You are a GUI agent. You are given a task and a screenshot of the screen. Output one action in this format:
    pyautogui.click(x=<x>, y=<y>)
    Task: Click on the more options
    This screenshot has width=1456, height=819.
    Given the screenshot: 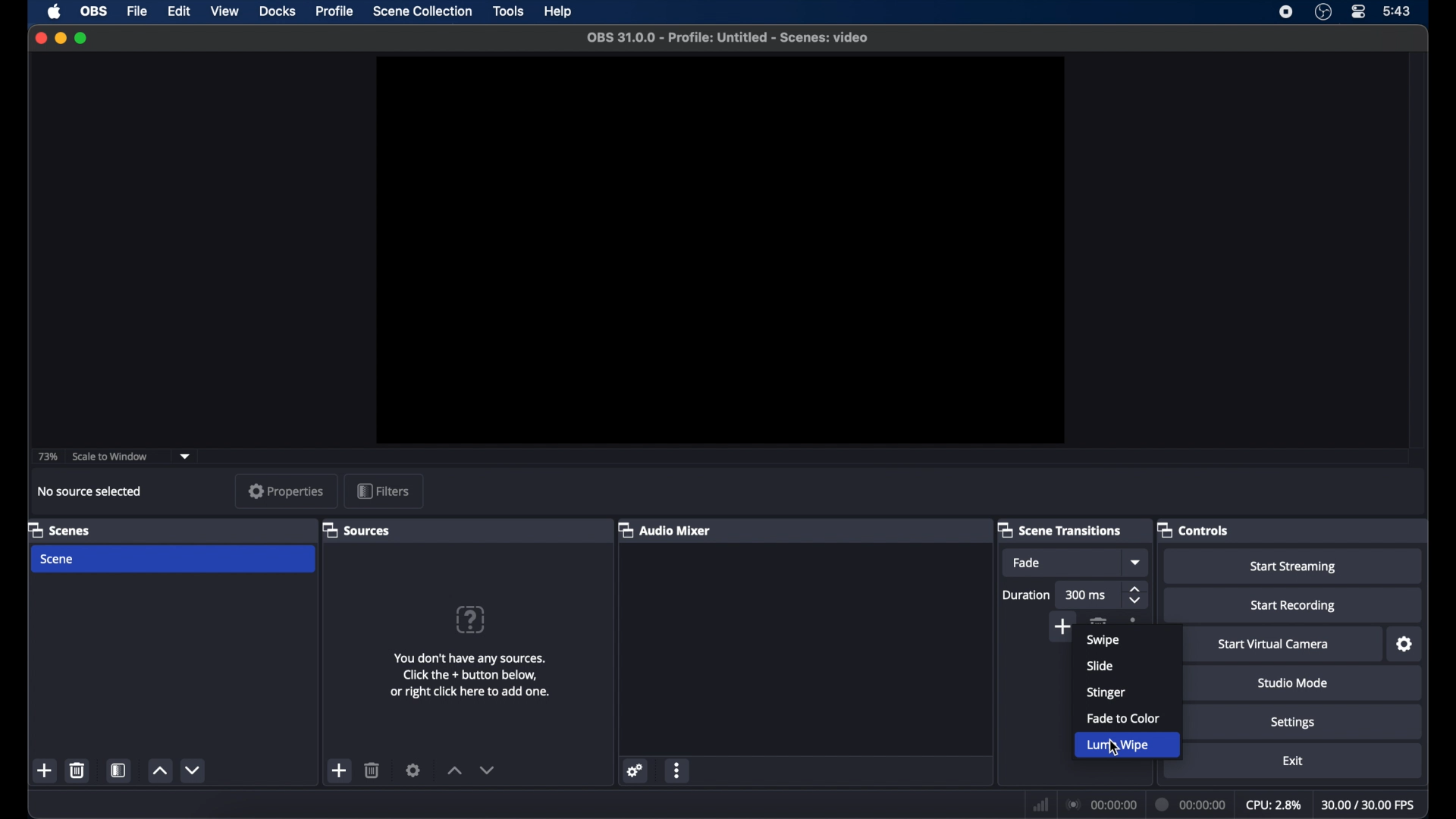 What is the action you would take?
    pyautogui.click(x=679, y=770)
    